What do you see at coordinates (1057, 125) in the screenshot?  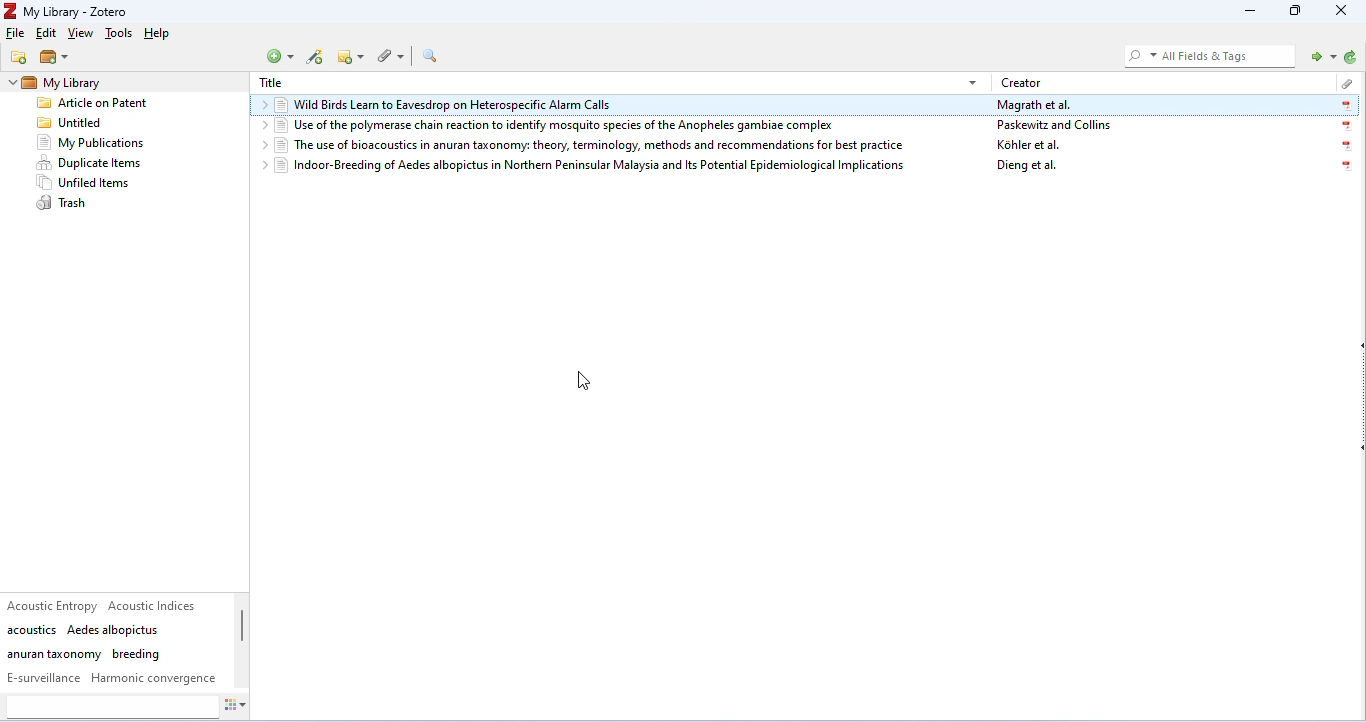 I see `paskewitz and collins` at bounding box center [1057, 125].